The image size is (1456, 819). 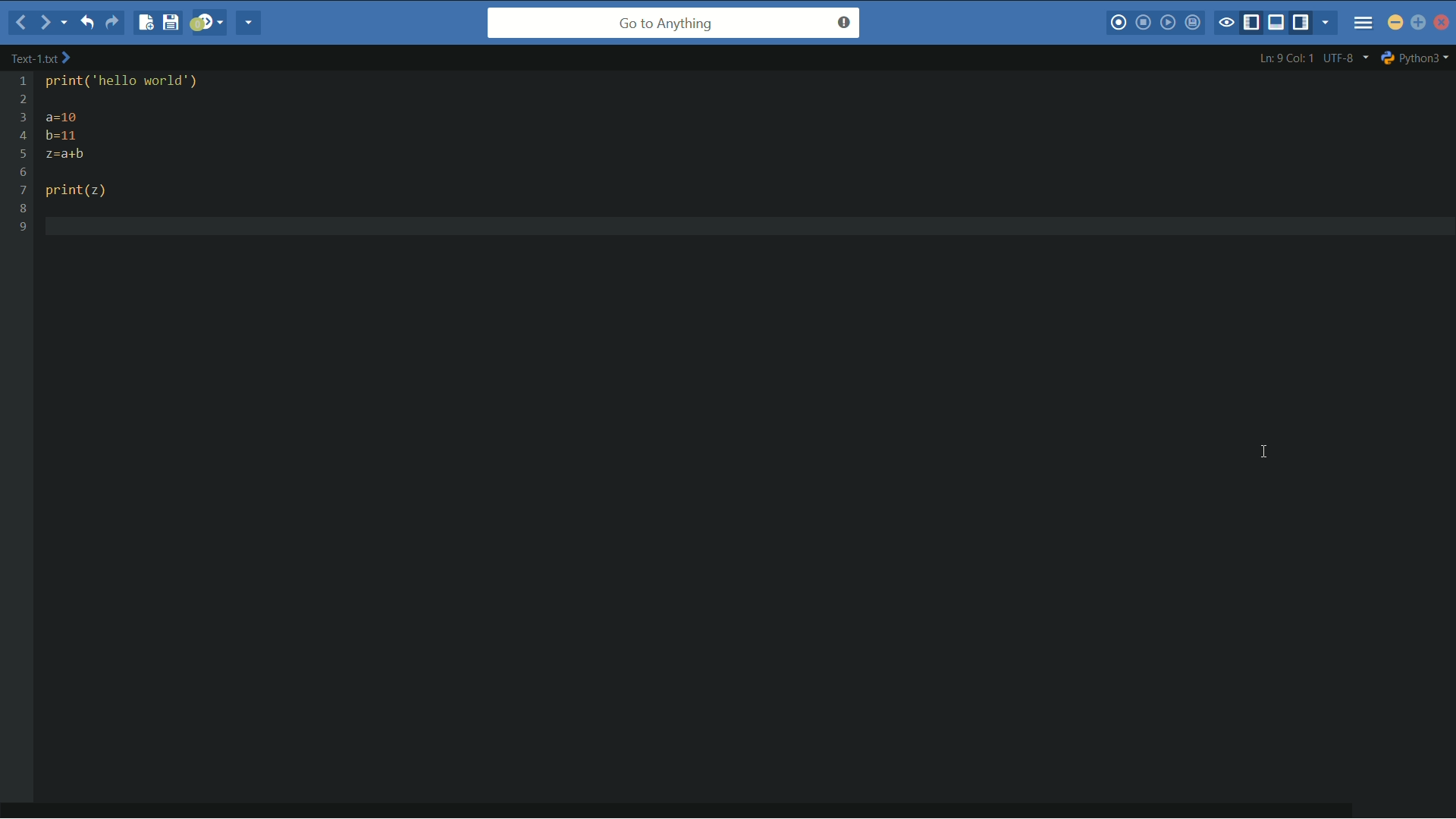 What do you see at coordinates (1170, 24) in the screenshot?
I see `play last macro` at bounding box center [1170, 24].